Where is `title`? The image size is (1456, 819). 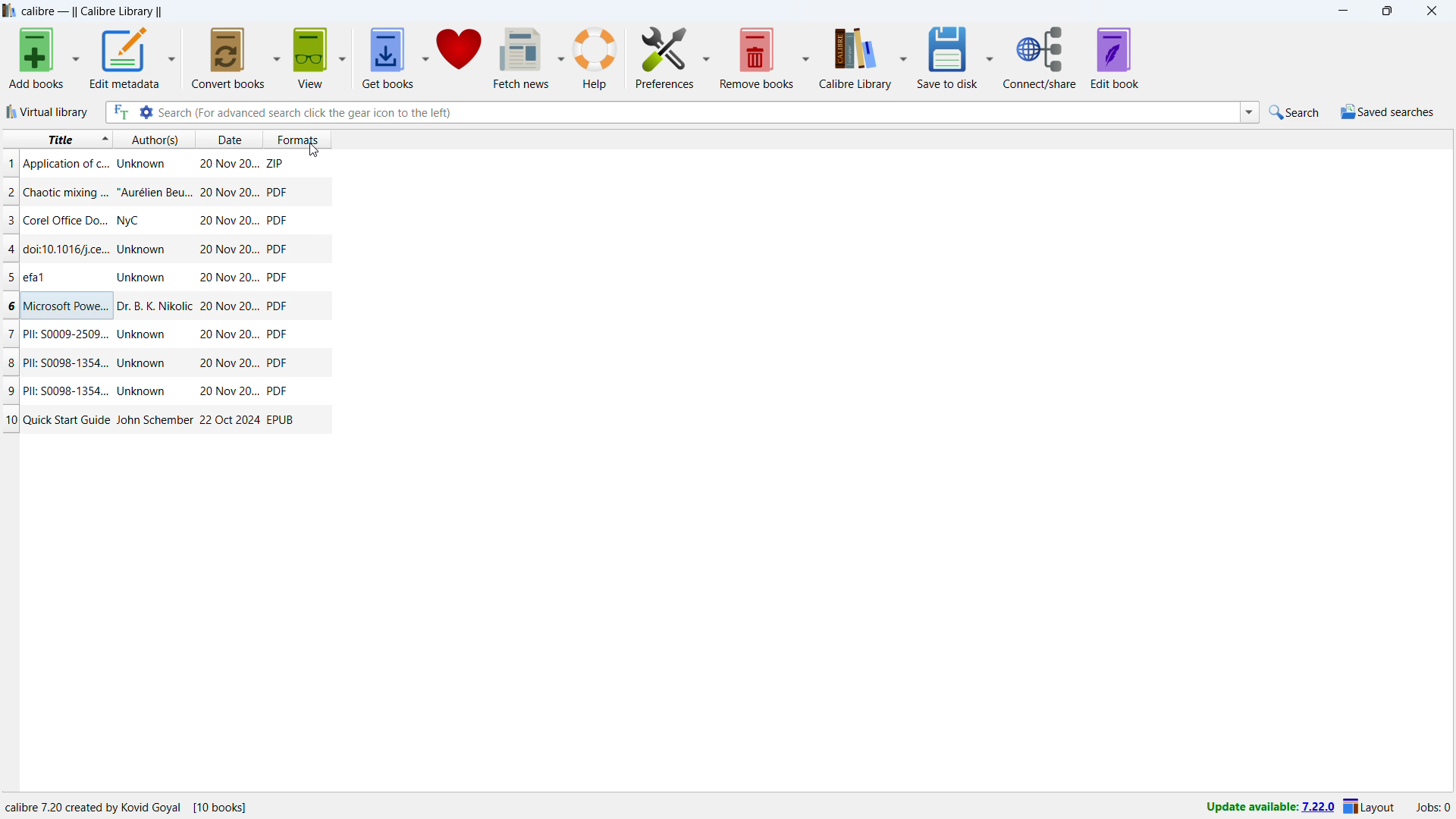 title is located at coordinates (64, 362).